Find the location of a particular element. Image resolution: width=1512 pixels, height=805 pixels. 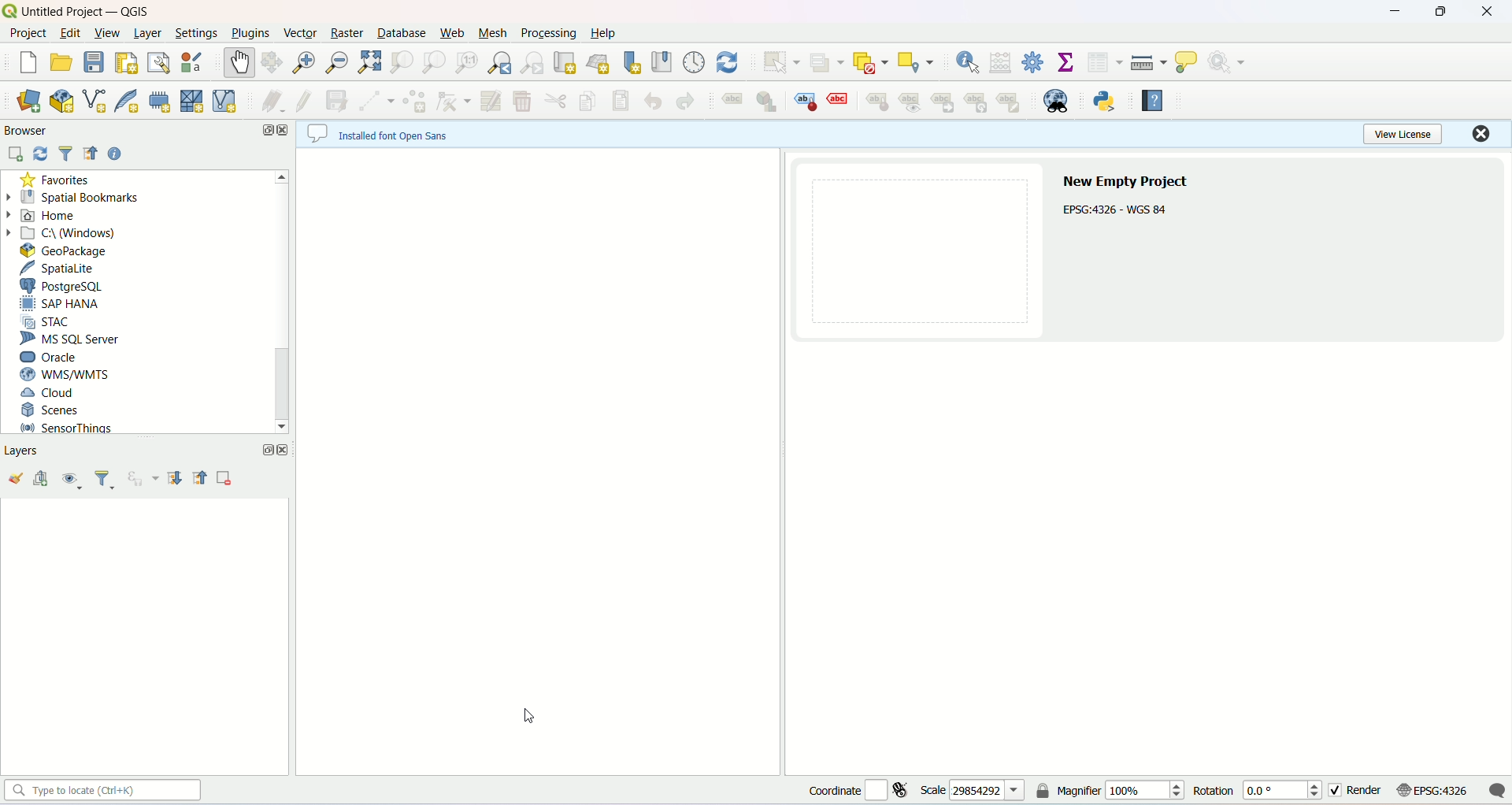

lock is located at coordinates (1043, 792).